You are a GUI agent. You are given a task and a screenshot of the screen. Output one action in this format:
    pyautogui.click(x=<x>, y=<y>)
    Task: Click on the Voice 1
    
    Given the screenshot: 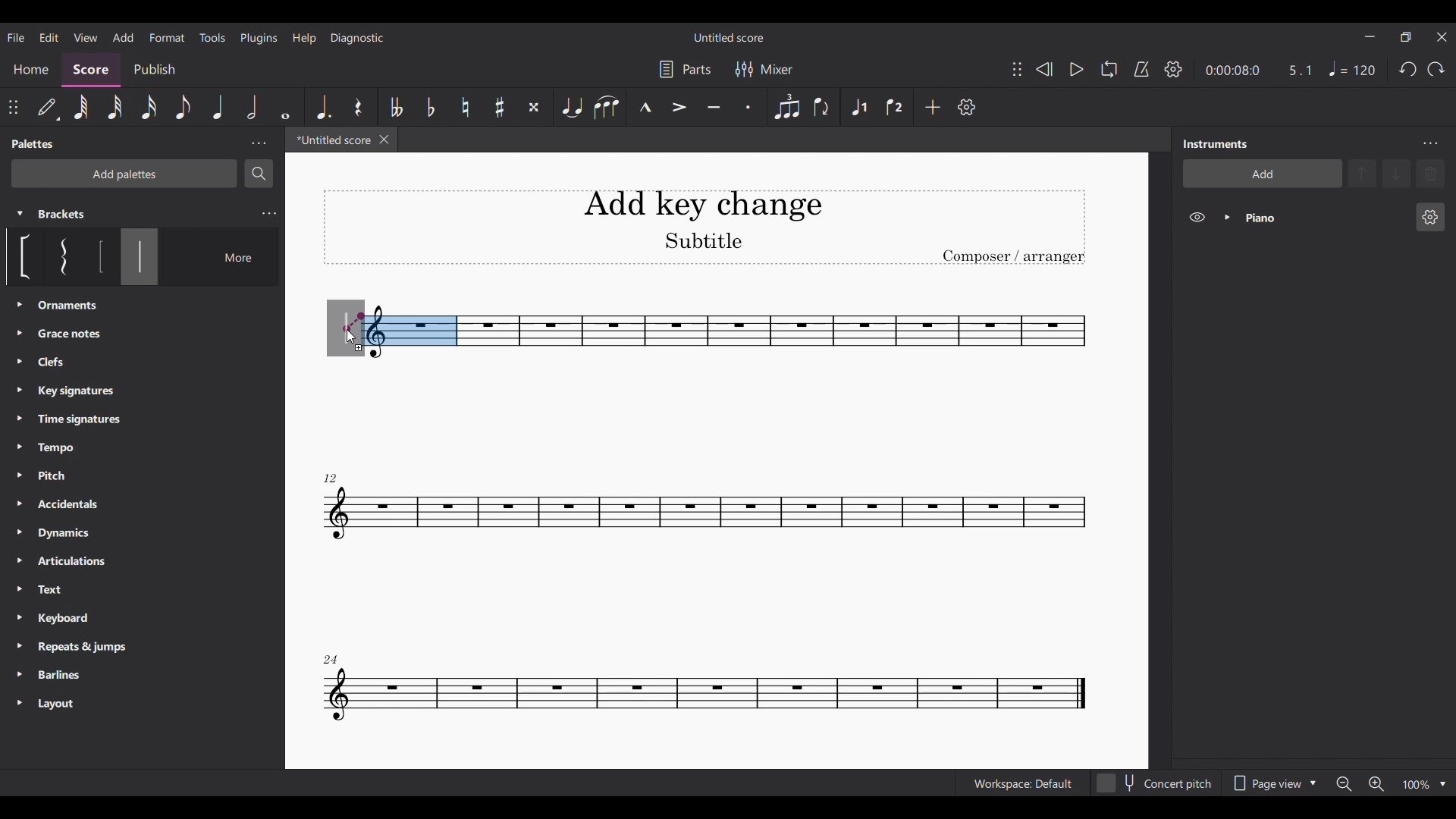 What is the action you would take?
    pyautogui.click(x=858, y=108)
    